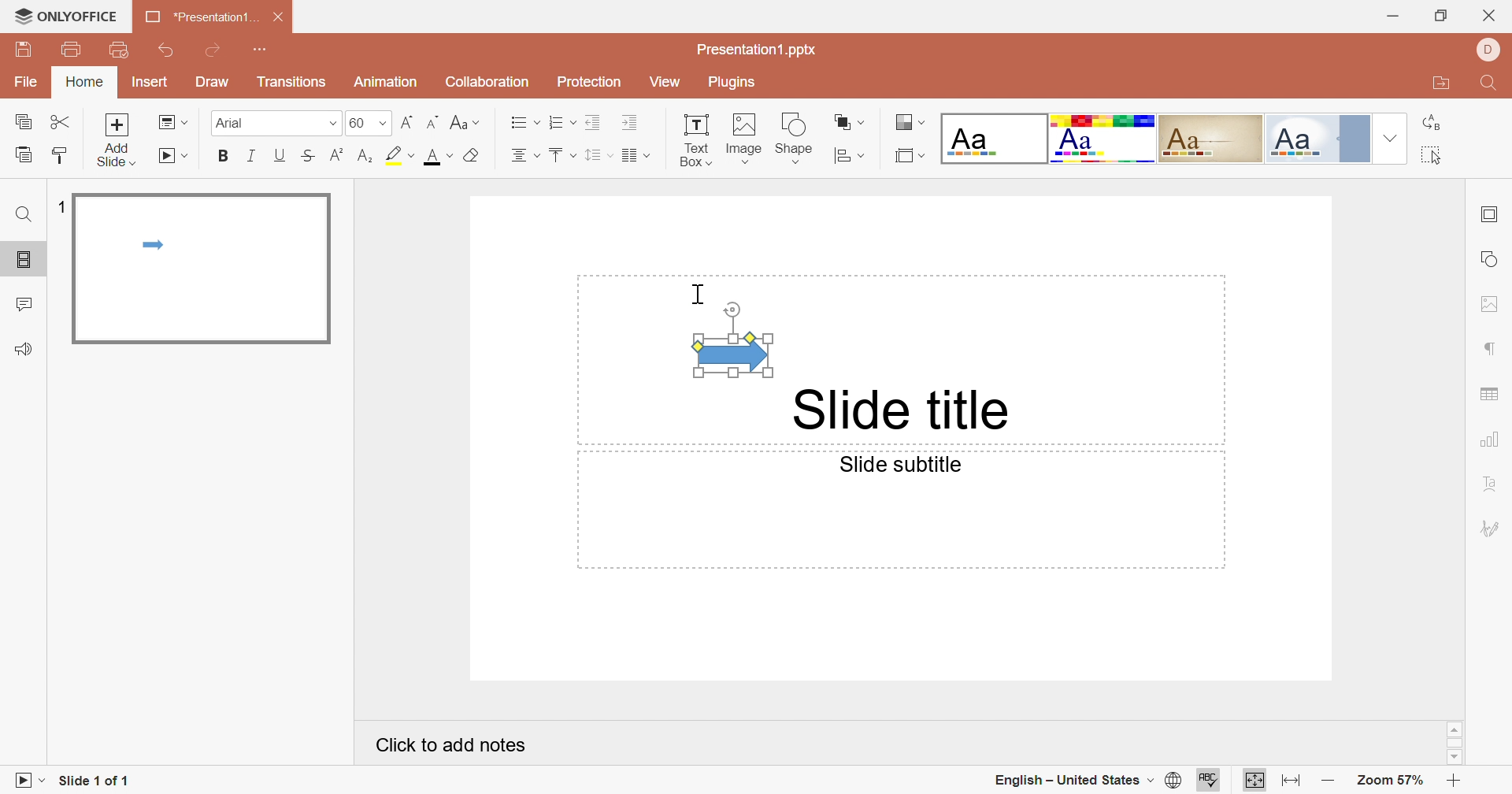 The height and width of the screenshot is (794, 1512). Describe the element at coordinates (1068, 782) in the screenshot. I see `English - United States` at that location.